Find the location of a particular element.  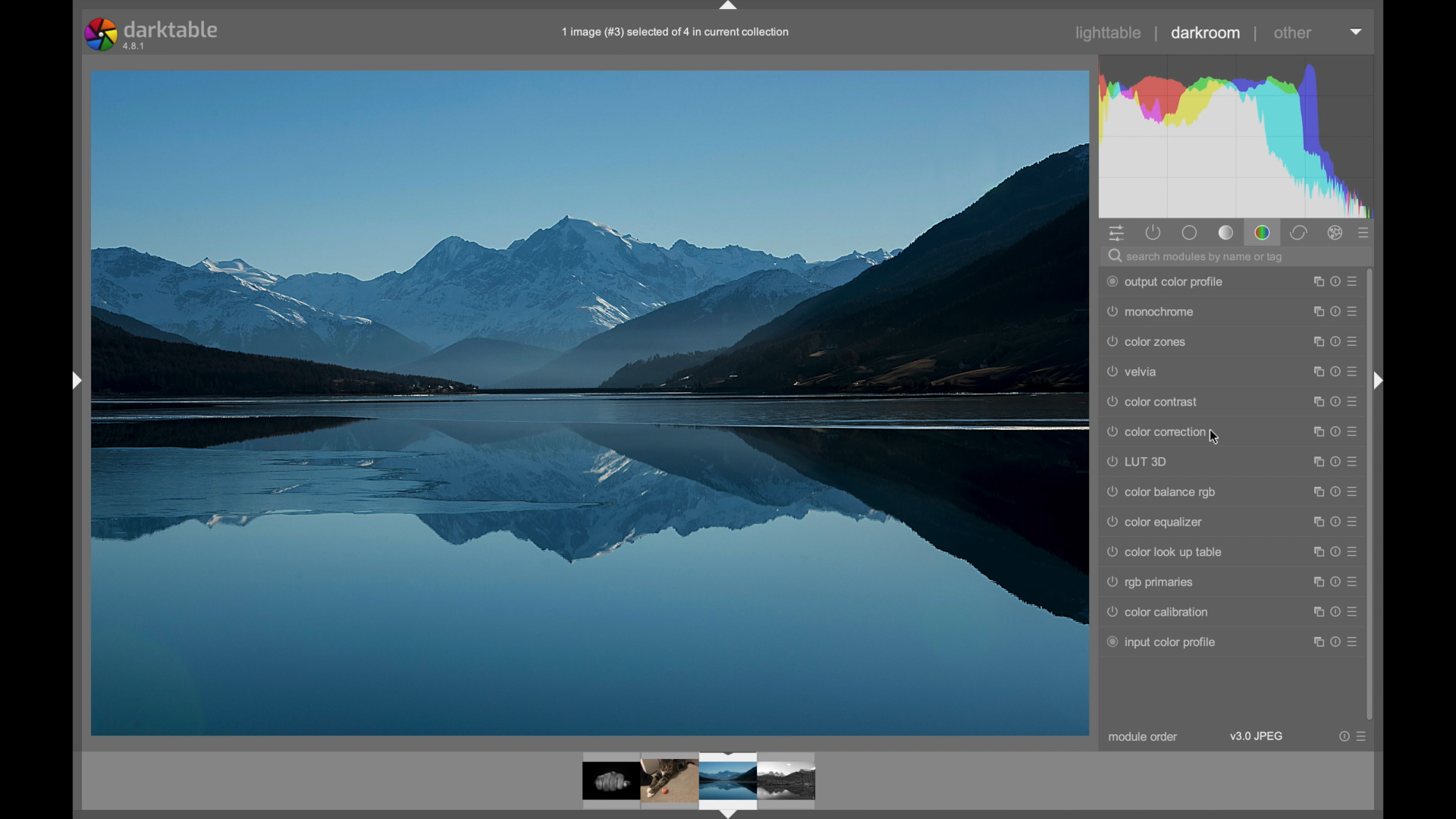

image is located at coordinates (725, 785).